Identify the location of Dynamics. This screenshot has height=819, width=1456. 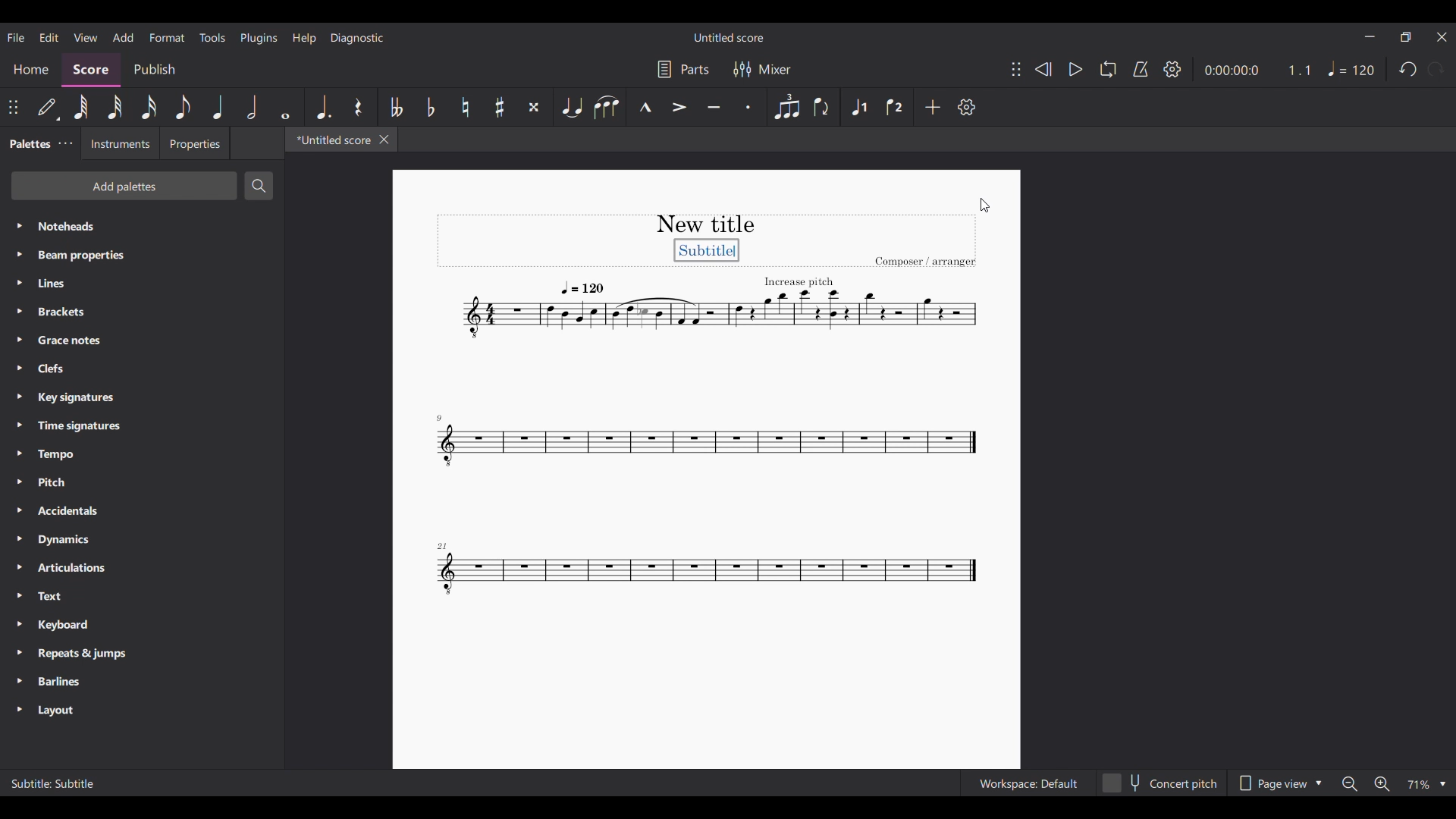
(141, 540).